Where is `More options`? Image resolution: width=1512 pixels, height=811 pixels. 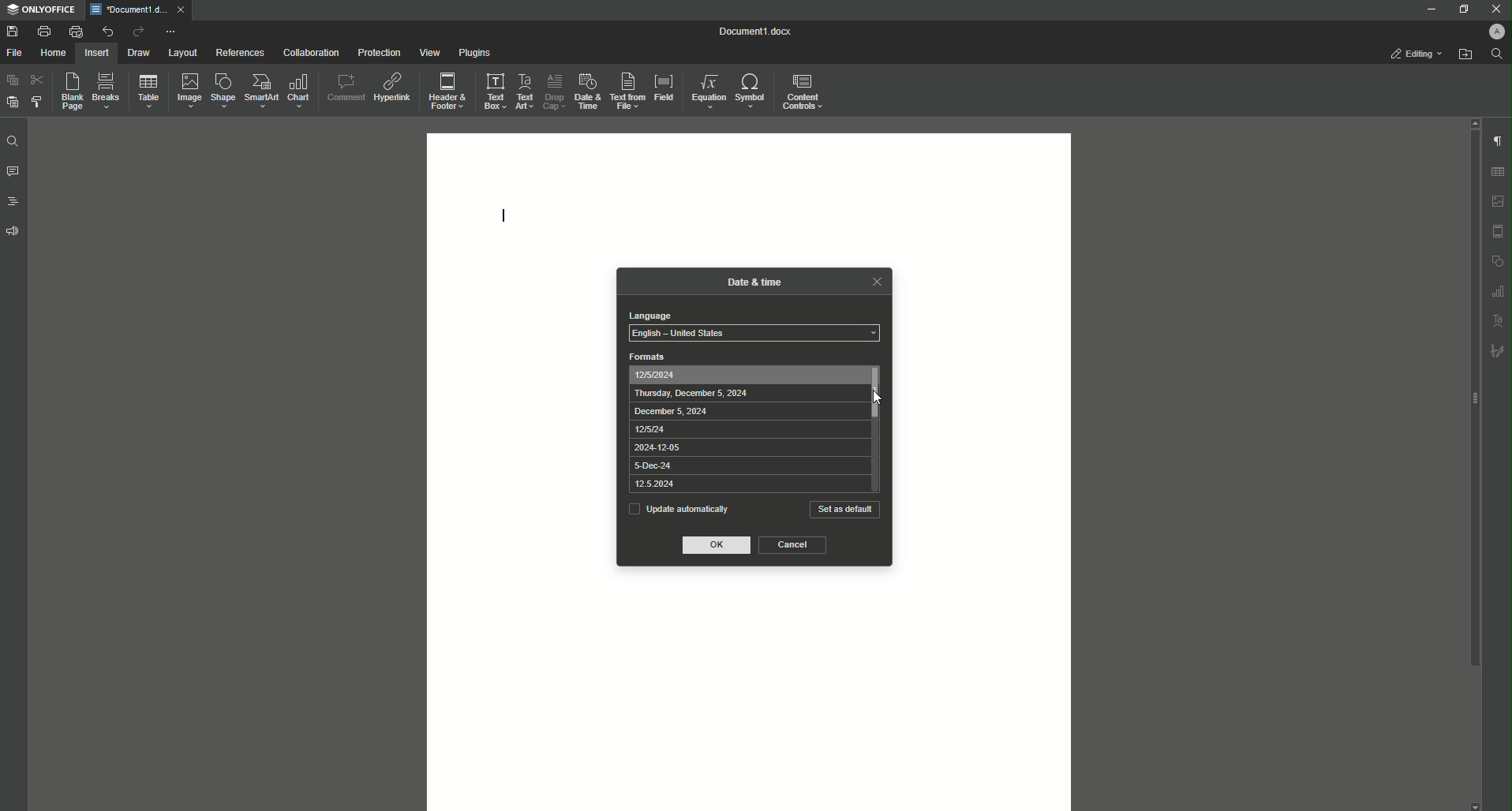 More options is located at coordinates (172, 32).